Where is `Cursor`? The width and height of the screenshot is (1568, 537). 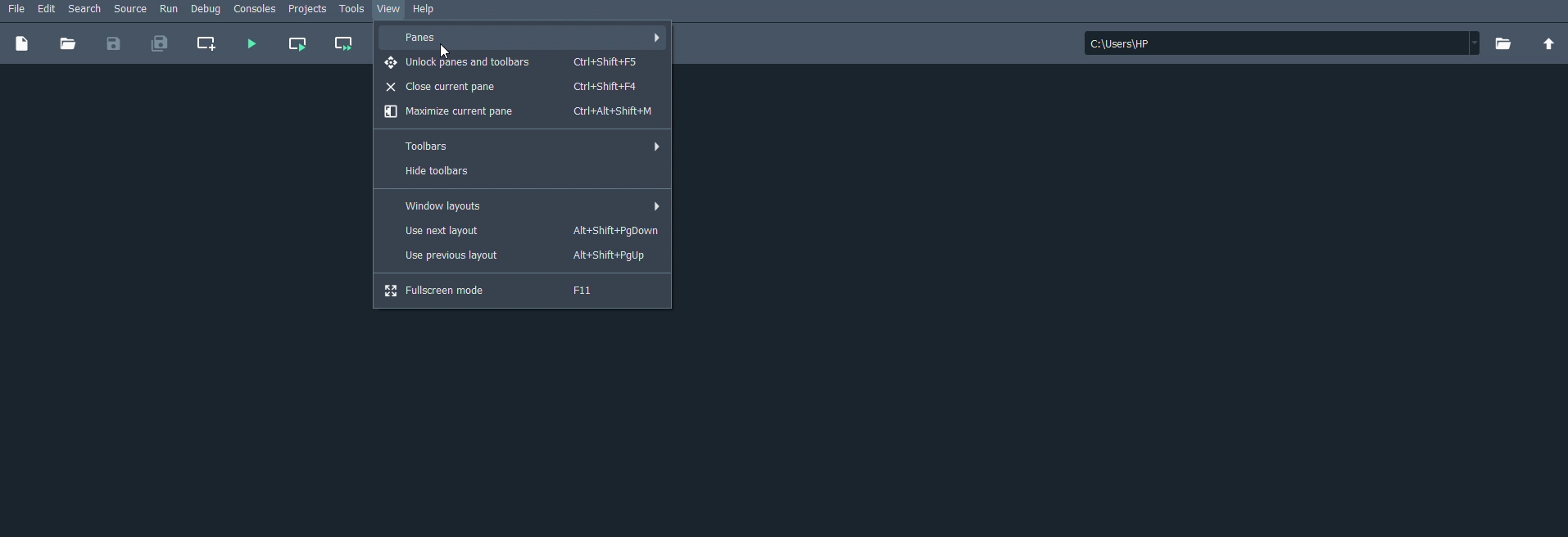 Cursor is located at coordinates (445, 52).